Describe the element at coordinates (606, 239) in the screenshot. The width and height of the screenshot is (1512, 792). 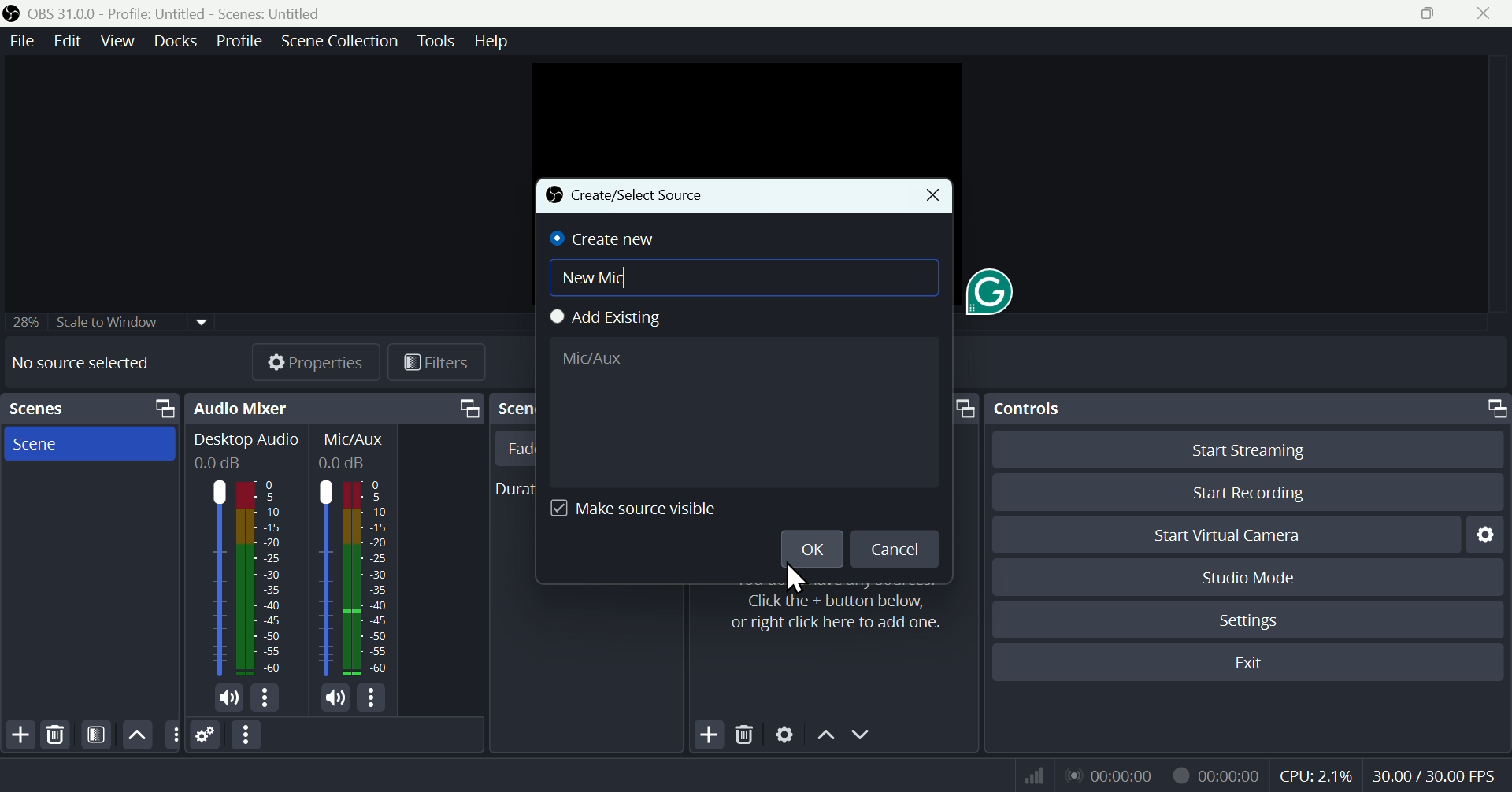
I see `(un)check Create new` at that location.